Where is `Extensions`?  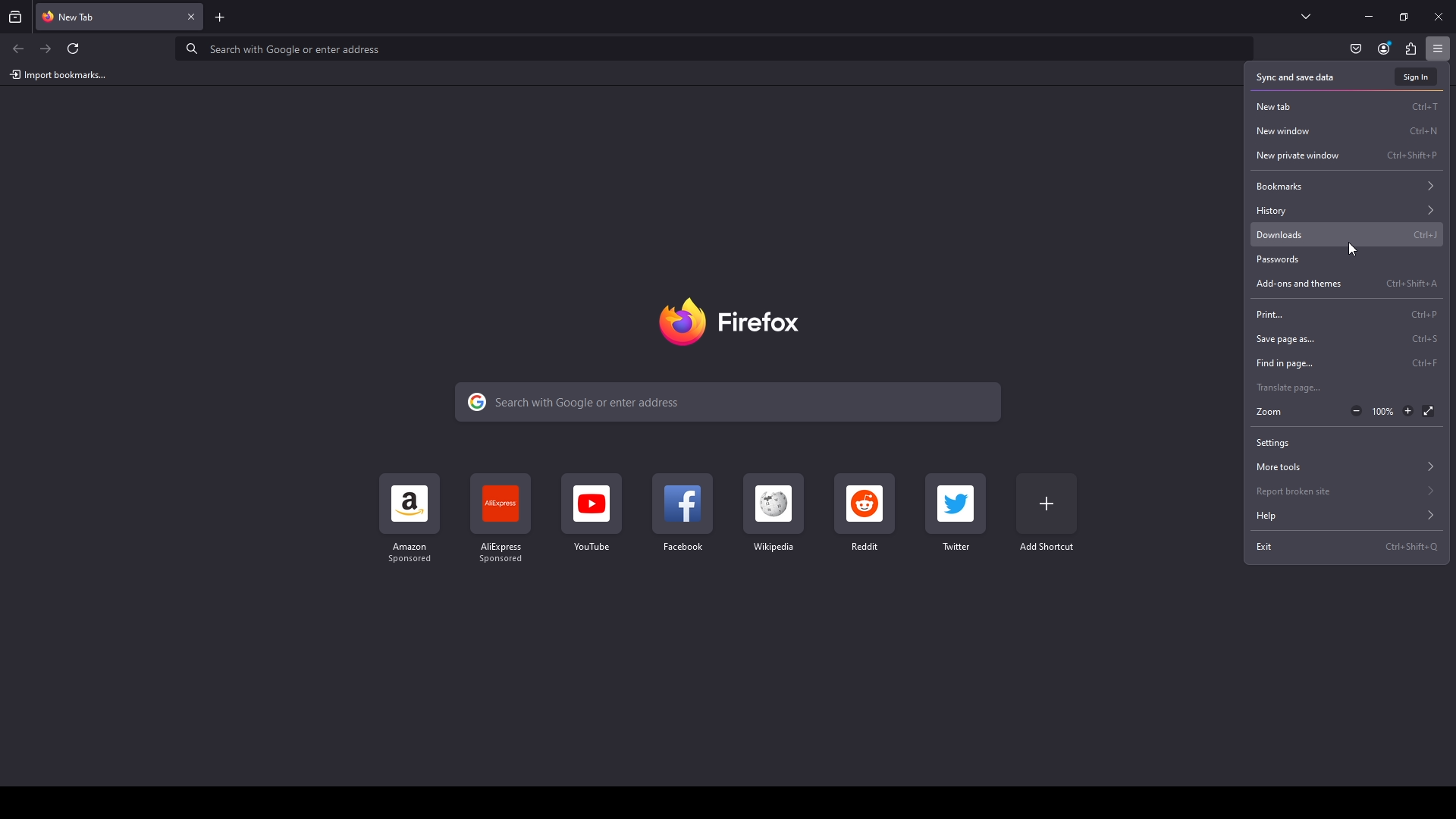 Extensions is located at coordinates (1411, 49).